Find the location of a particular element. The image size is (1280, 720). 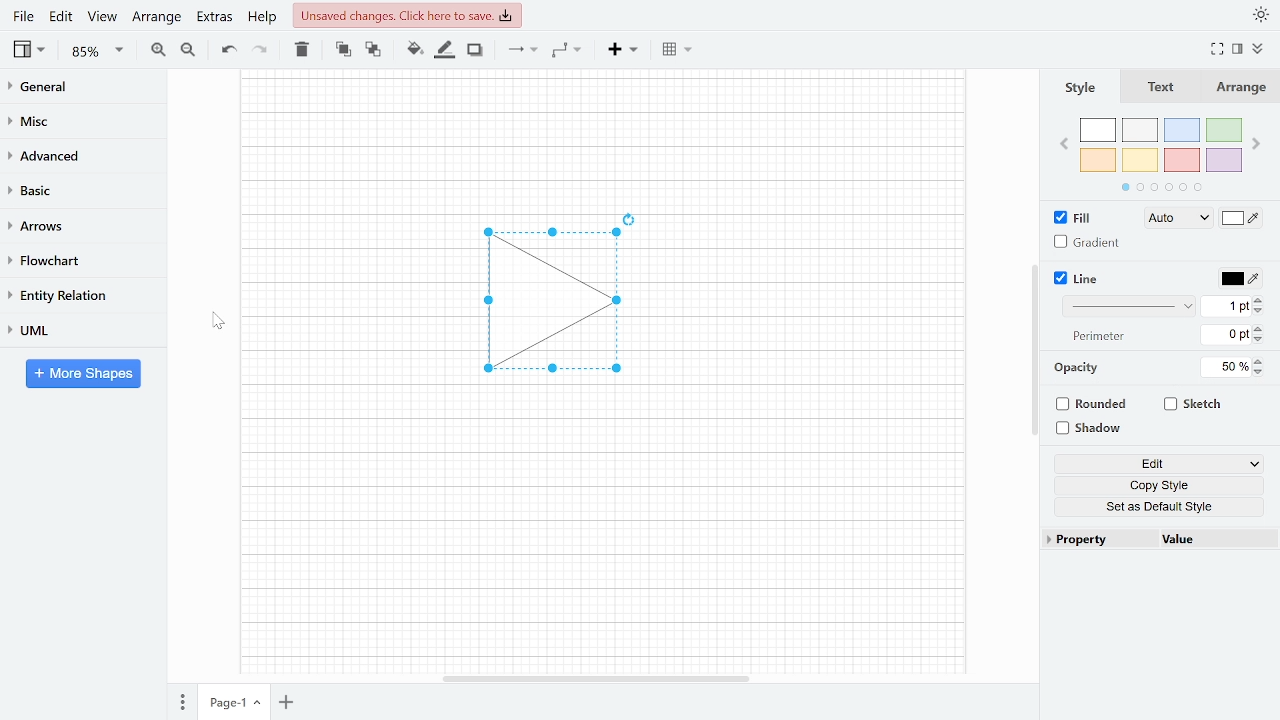

Fill style is located at coordinates (1174, 219).